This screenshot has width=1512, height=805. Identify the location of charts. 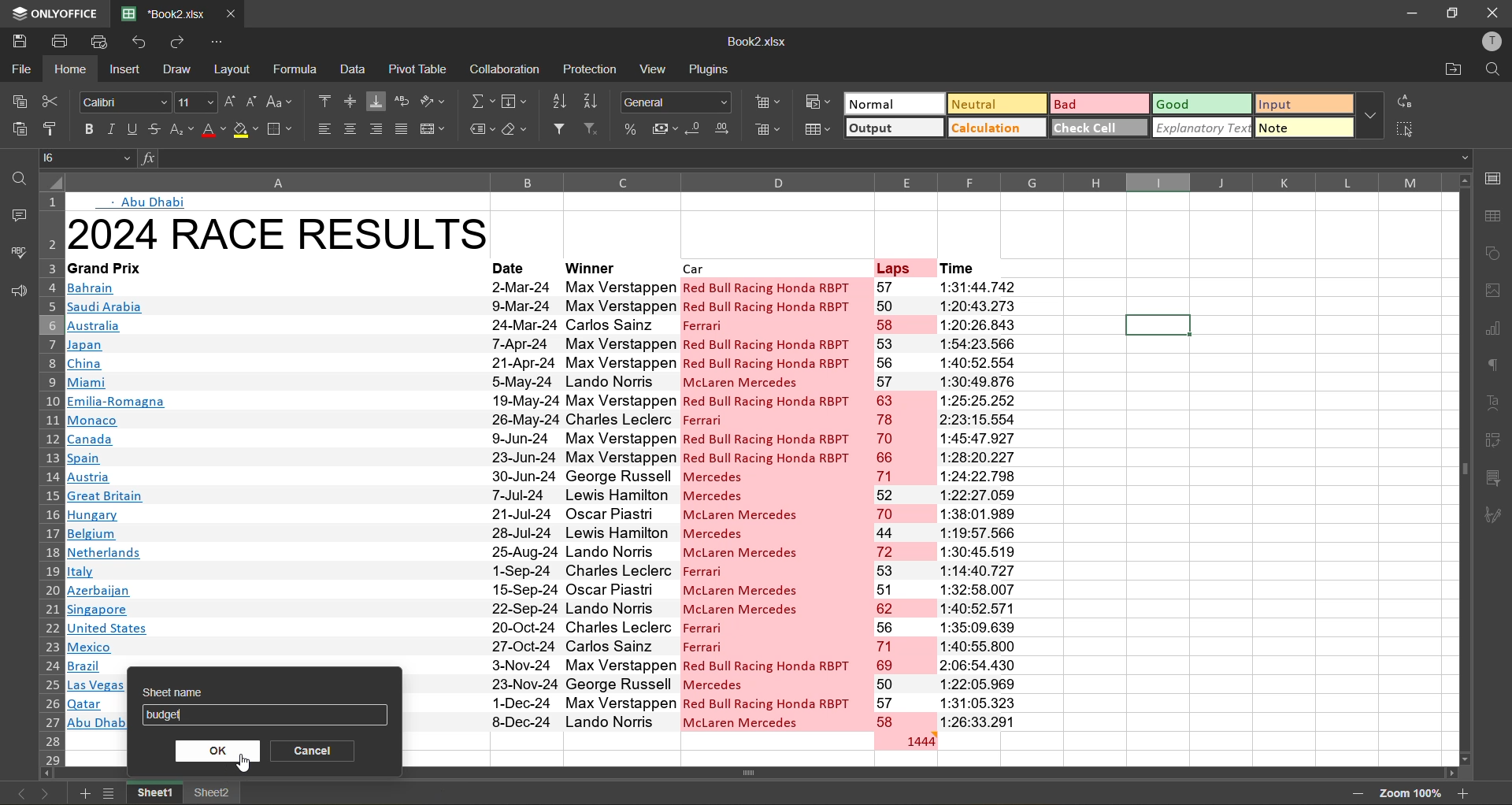
(1497, 332).